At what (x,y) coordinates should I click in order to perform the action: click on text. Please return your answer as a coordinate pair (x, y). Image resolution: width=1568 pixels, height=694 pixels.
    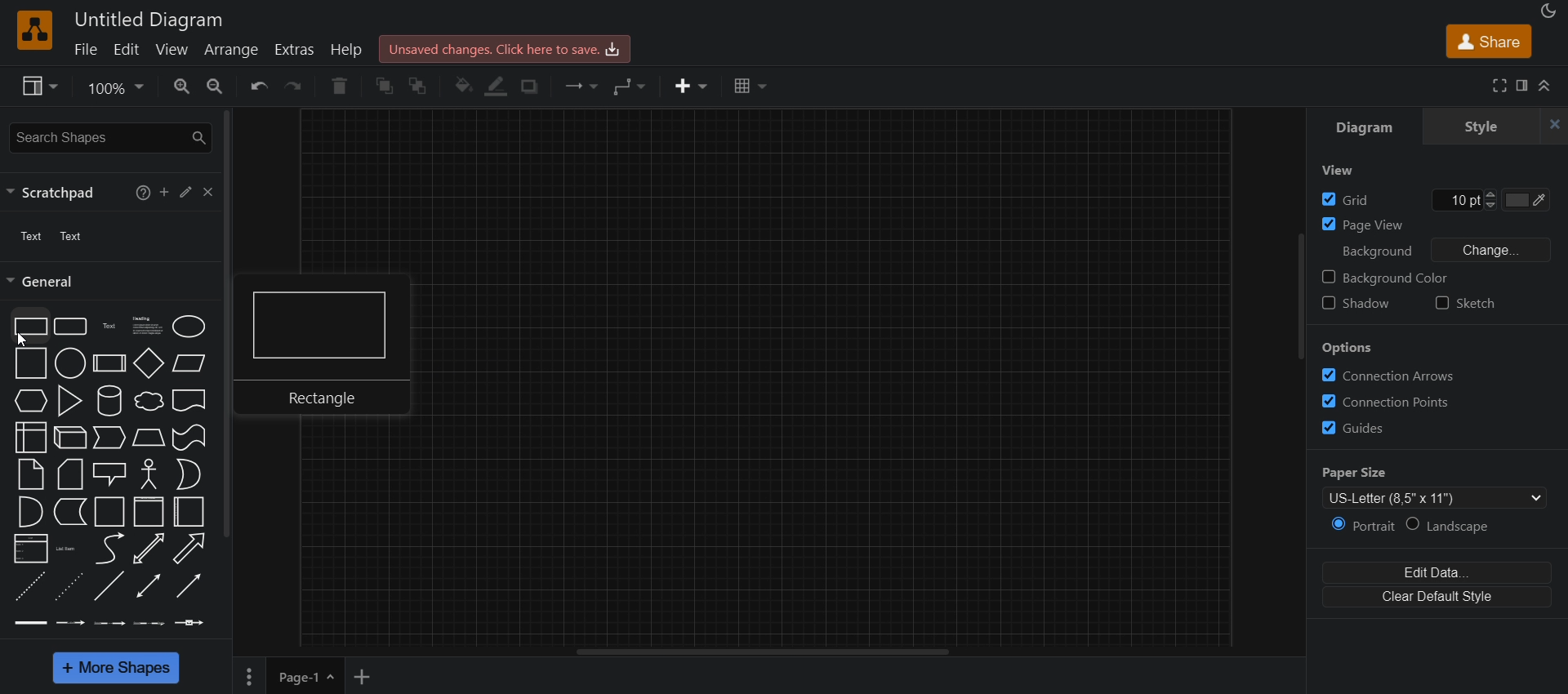
    Looking at the image, I should click on (51, 236).